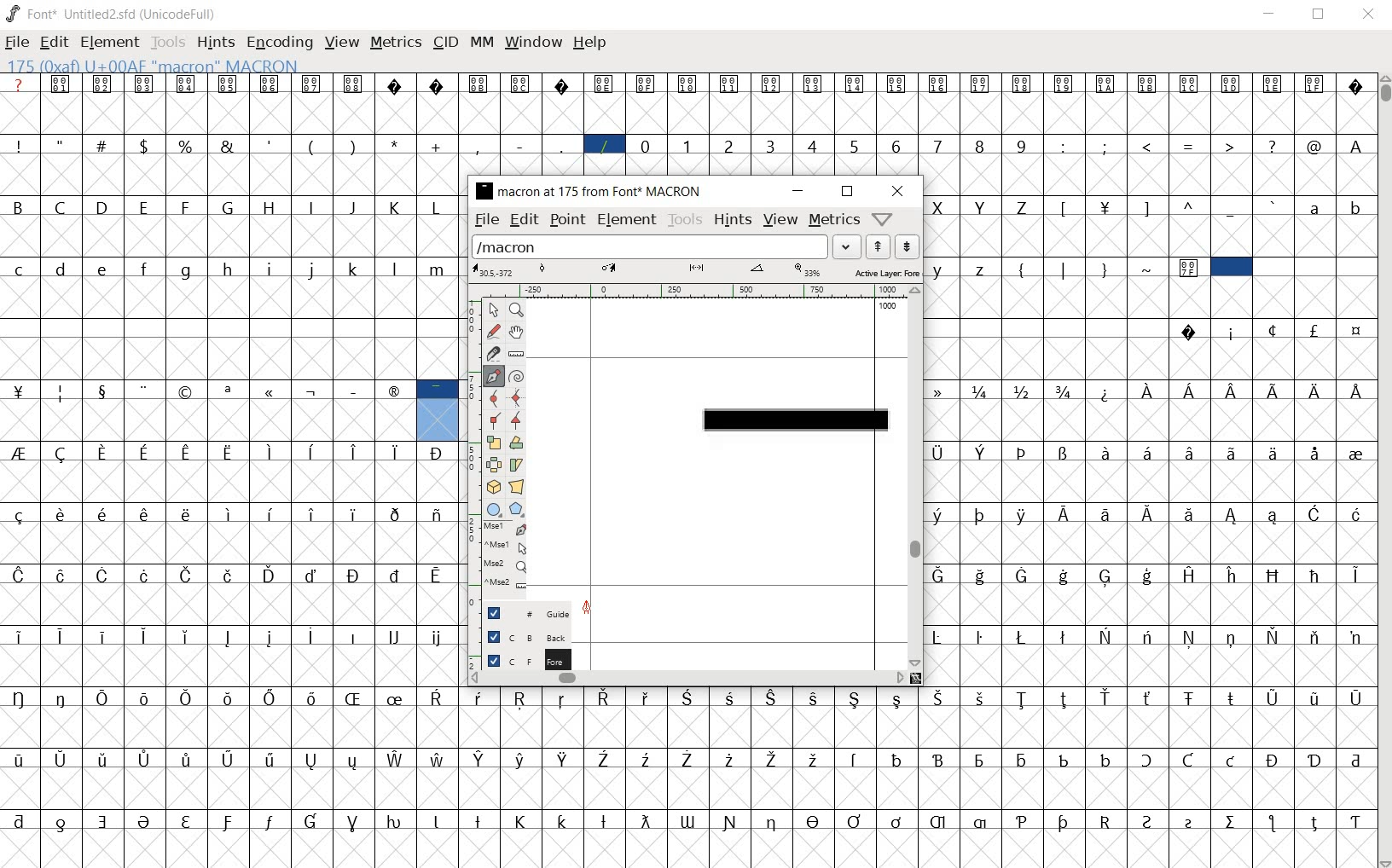 The height and width of the screenshot is (868, 1392). I want to click on Symbol, so click(354, 575).